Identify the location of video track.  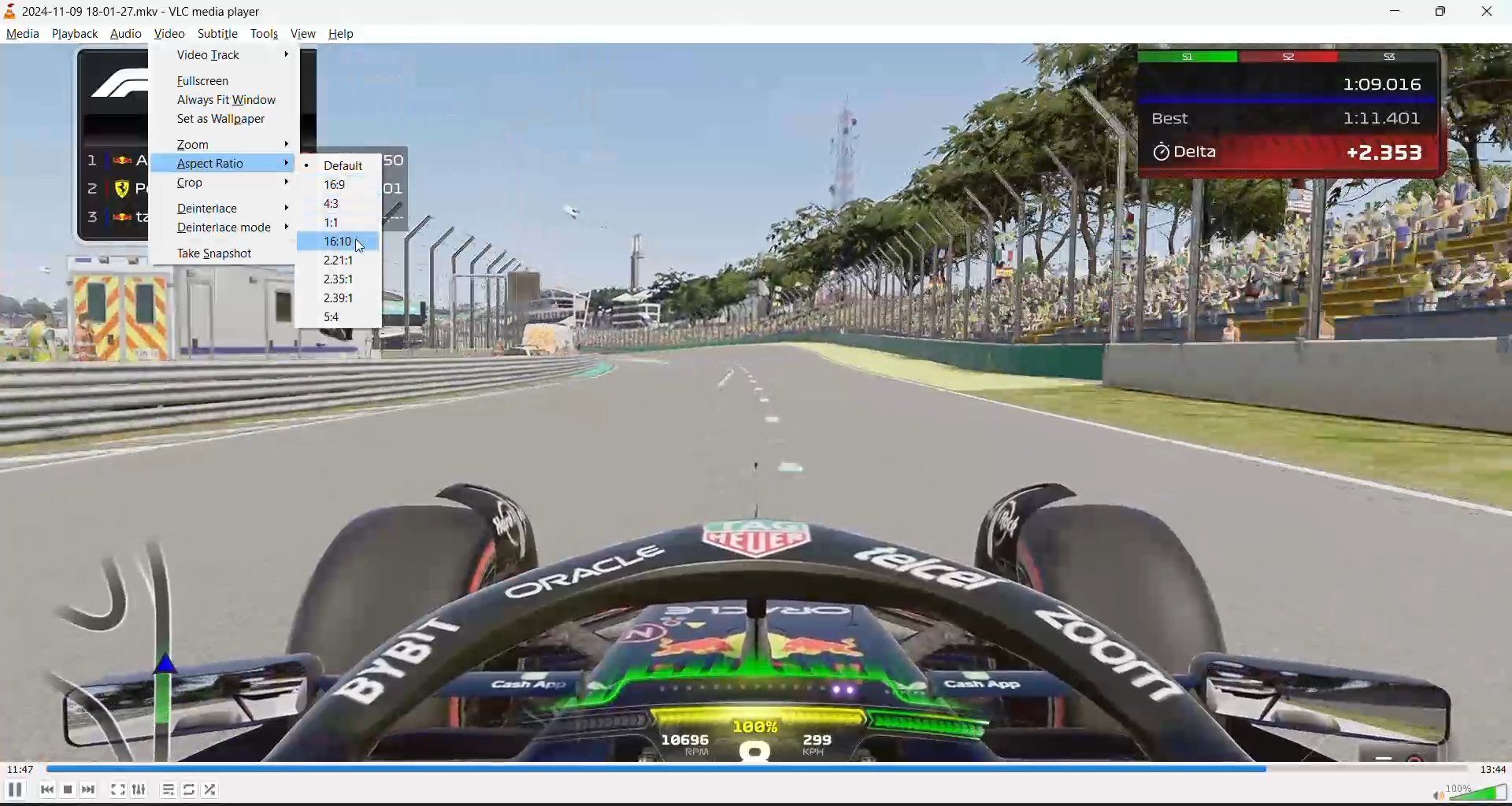
(213, 61).